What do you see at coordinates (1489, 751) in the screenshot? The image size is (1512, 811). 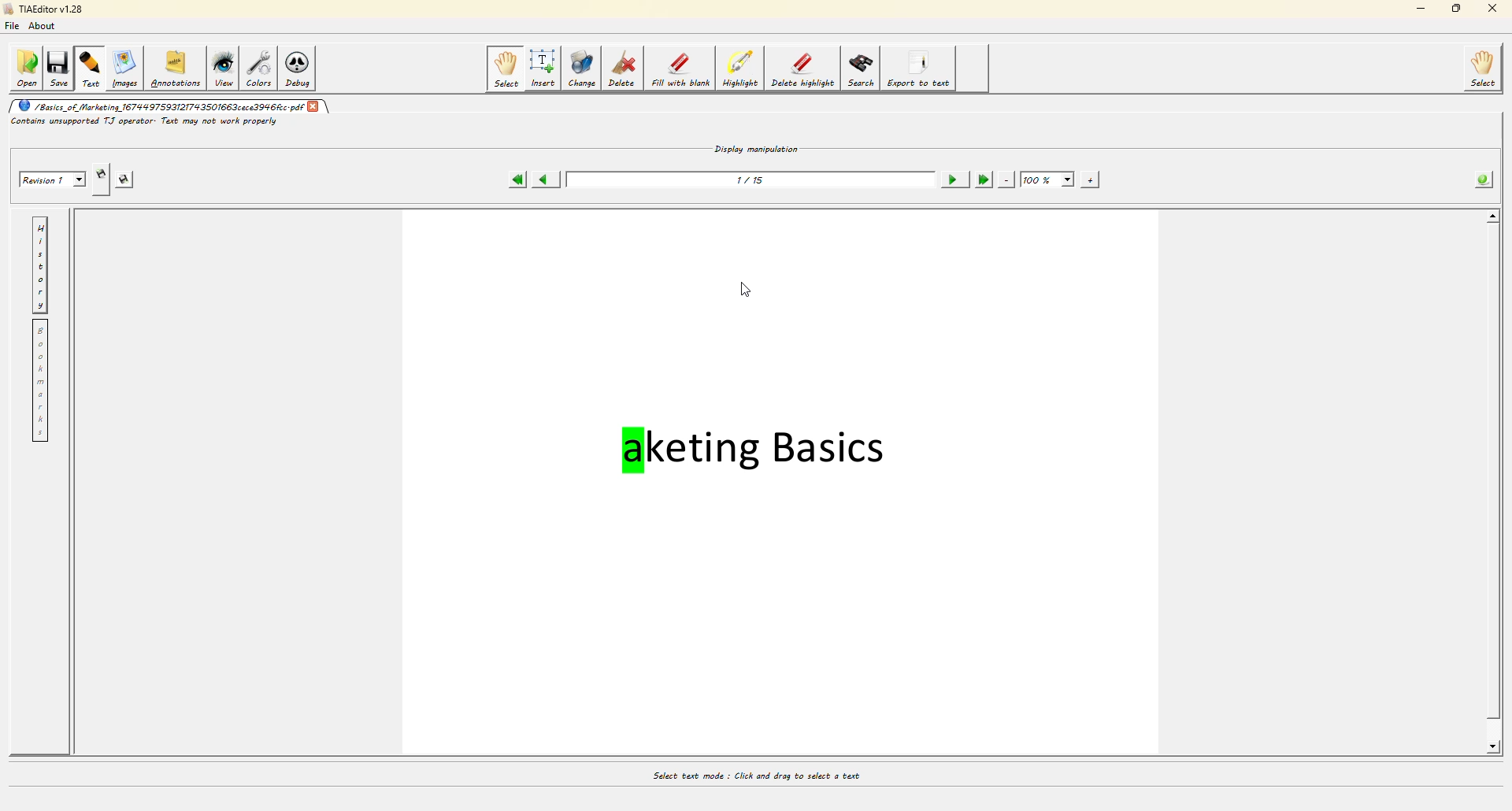 I see `move down` at bounding box center [1489, 751].